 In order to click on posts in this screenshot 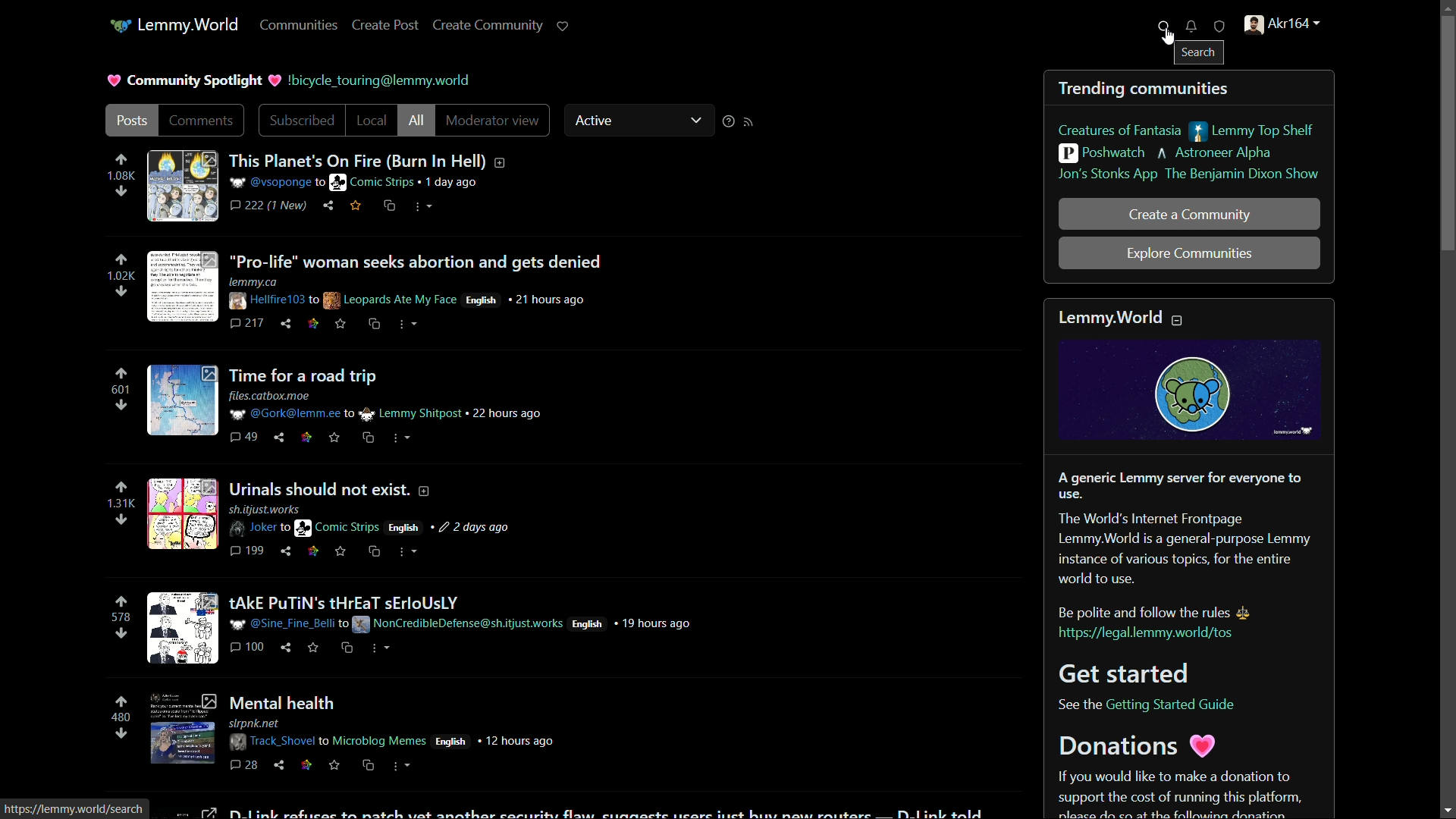, I will do `click(133, 121)`.